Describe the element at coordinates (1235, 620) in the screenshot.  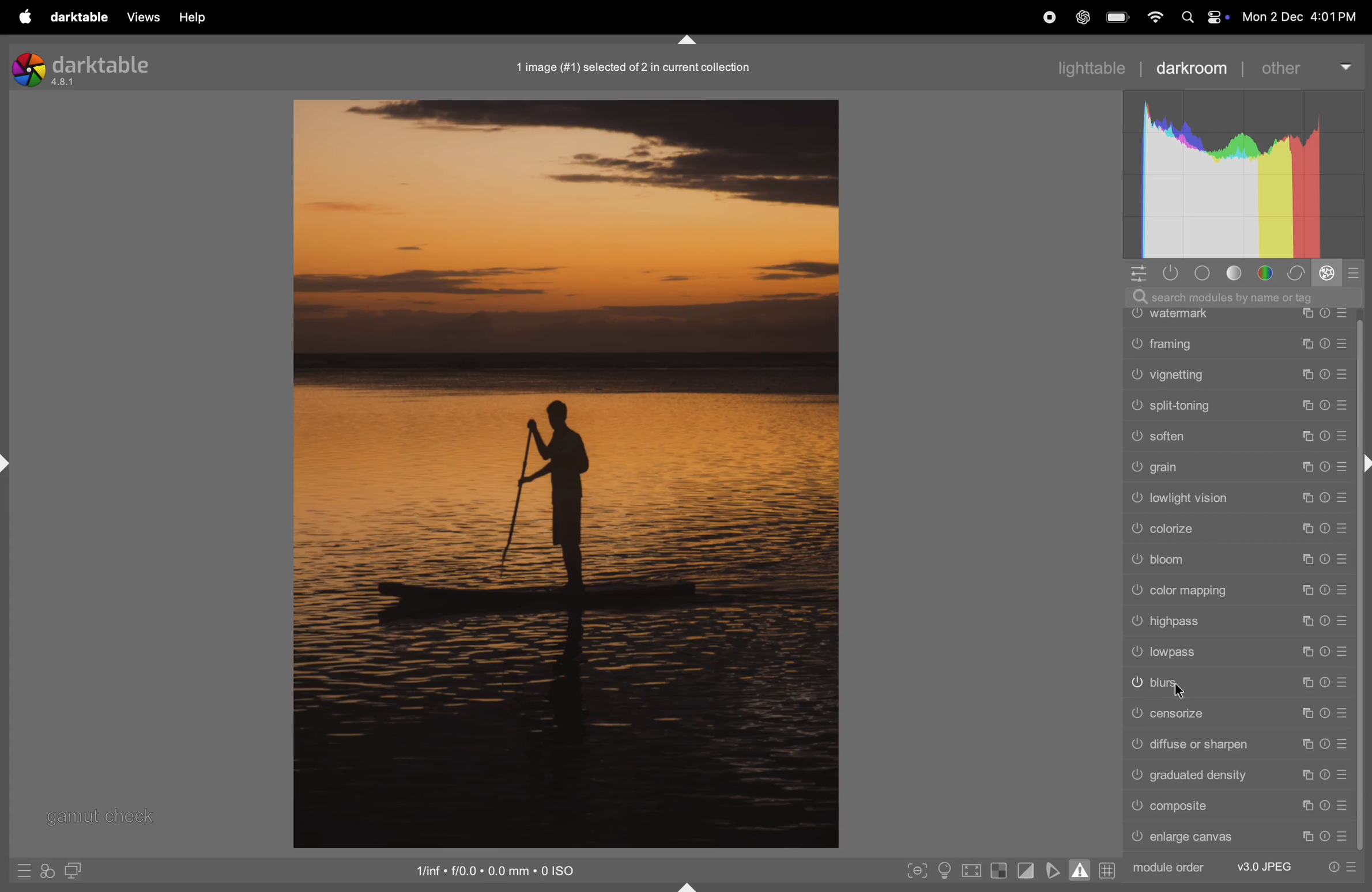
I see `highpass` at that location.